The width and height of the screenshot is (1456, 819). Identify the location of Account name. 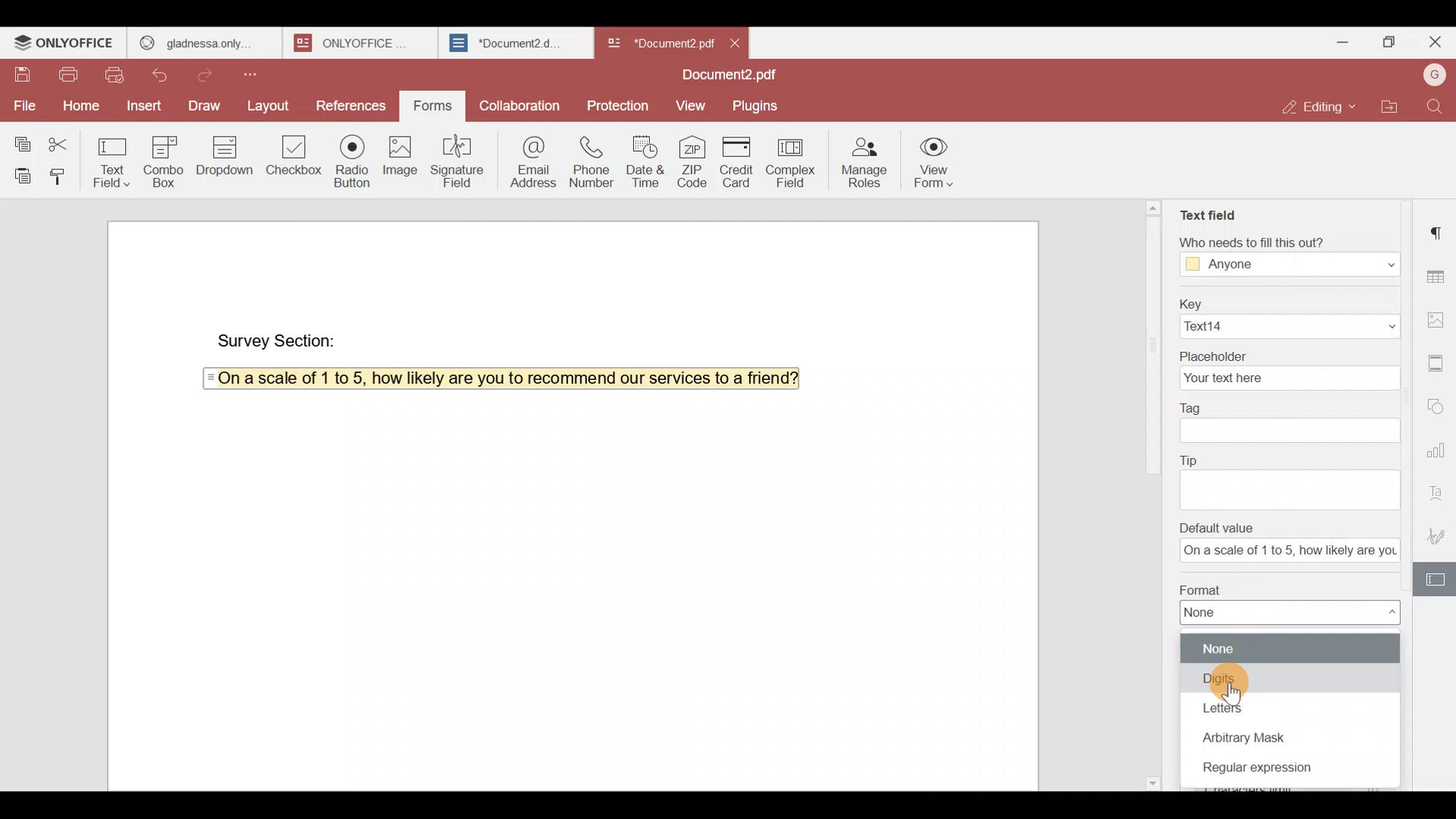
(1434, 75).